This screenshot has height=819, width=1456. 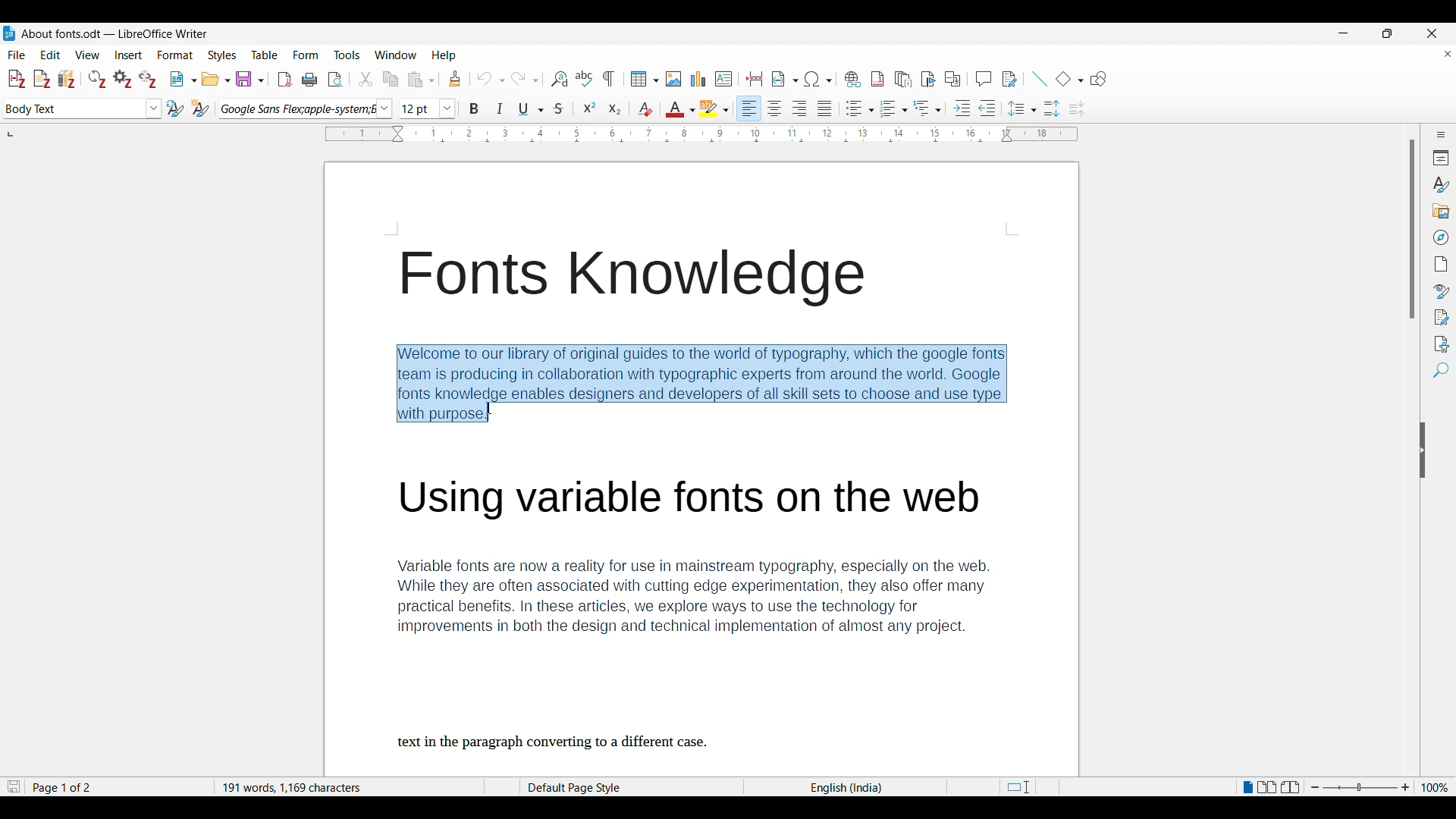 What do you see at coordinates (42, 80) in the screenshot?
I see `Add note` at bounding box center [42, 80].